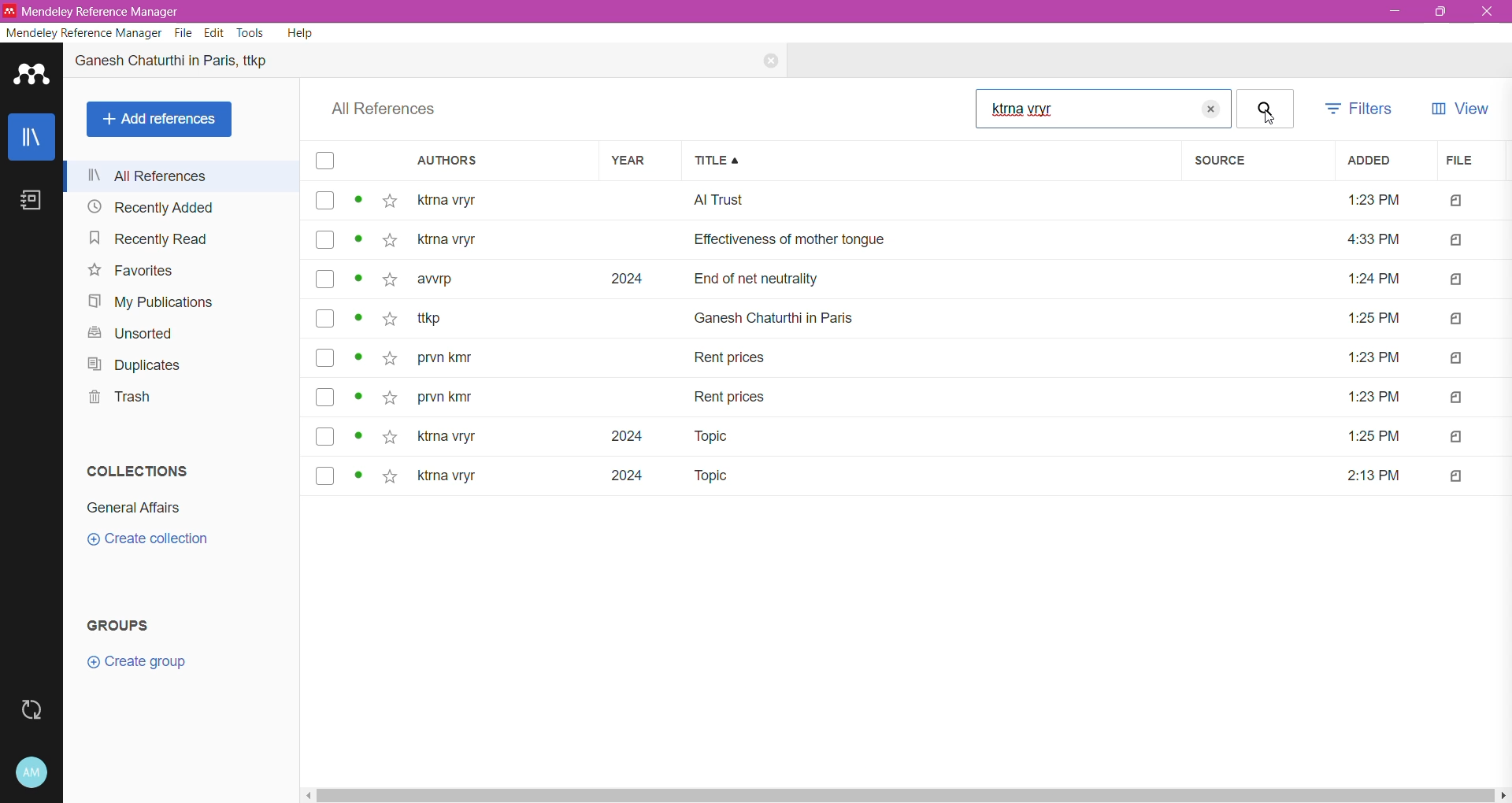  What do you see at coordinates (388, 436) in the screenshot?
I see `add to favorites` at bounding box center [388, 436].